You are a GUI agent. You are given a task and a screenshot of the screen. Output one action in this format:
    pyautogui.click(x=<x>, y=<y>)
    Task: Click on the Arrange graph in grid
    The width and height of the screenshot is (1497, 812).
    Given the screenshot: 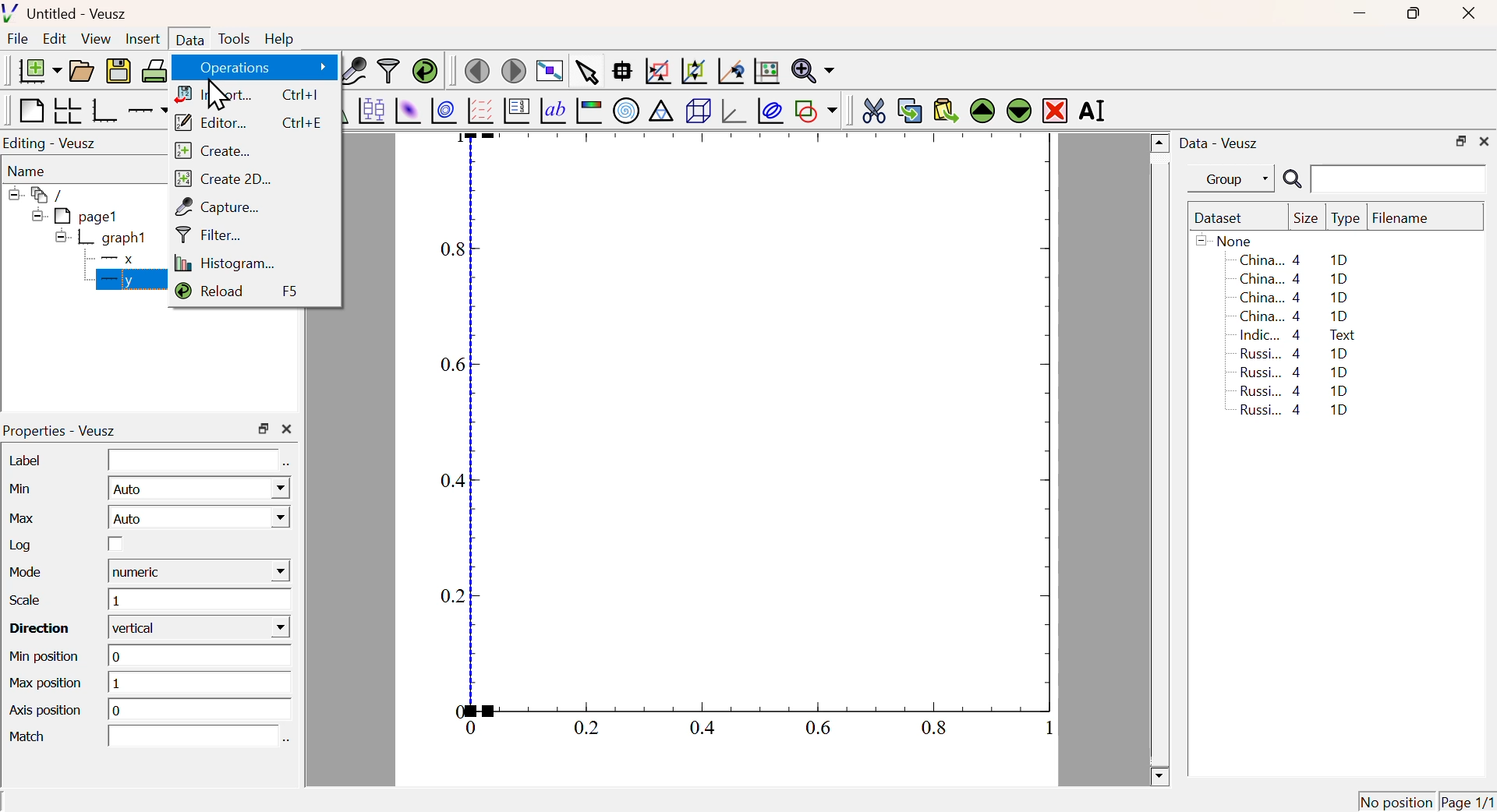 What is the action you would take?
    pyautogui.click(x=66, y=110)
    